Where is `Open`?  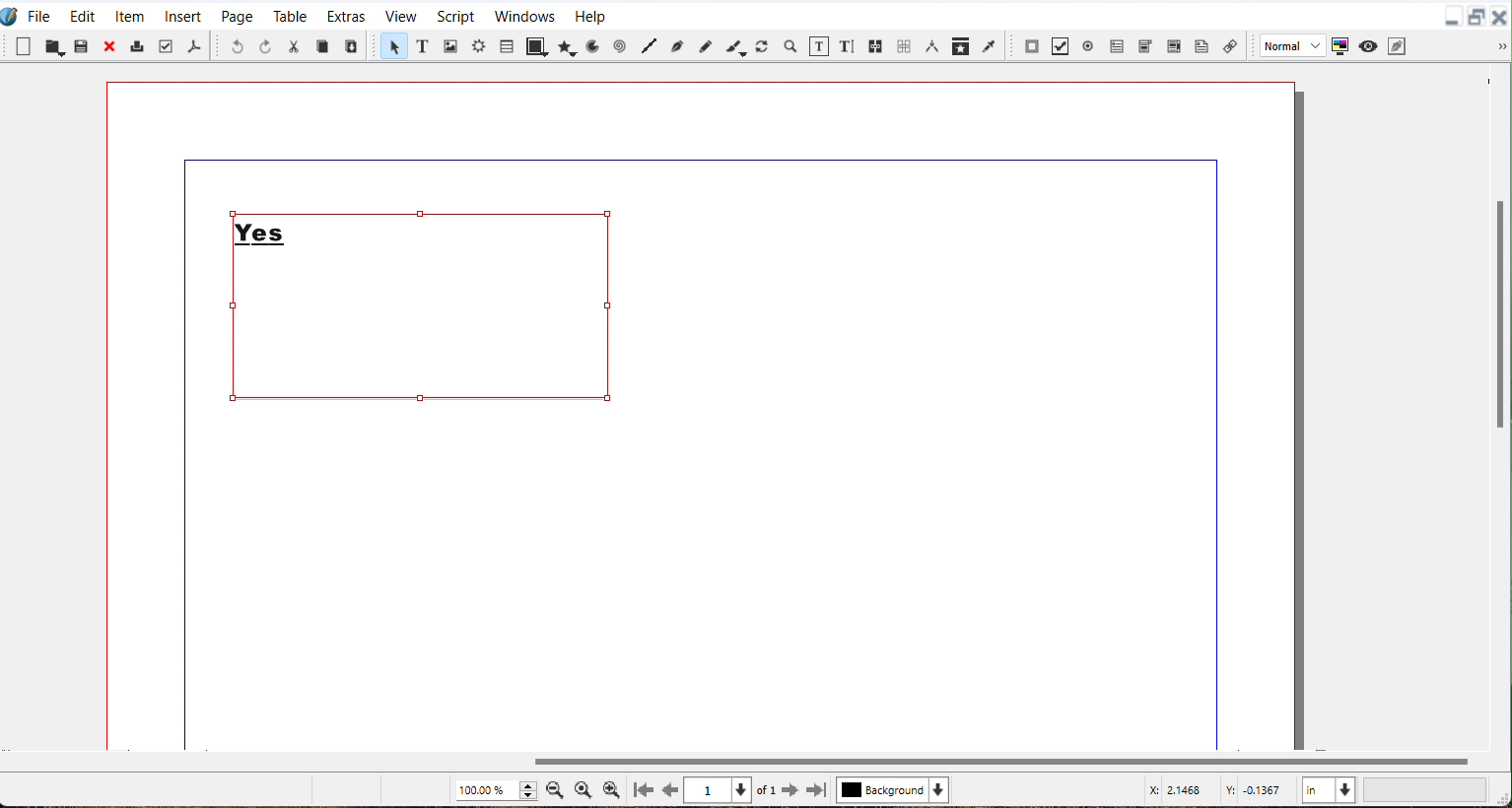
Open is located at coordinates (53, 46).